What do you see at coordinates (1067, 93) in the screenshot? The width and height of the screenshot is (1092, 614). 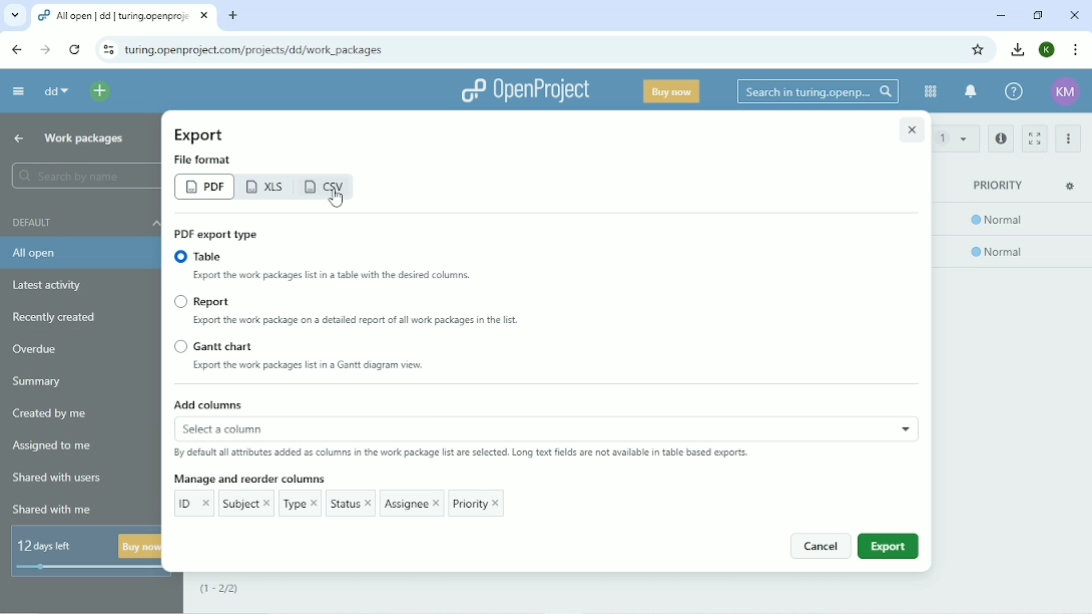 I see `Account` at bounding box center [1067, 93].